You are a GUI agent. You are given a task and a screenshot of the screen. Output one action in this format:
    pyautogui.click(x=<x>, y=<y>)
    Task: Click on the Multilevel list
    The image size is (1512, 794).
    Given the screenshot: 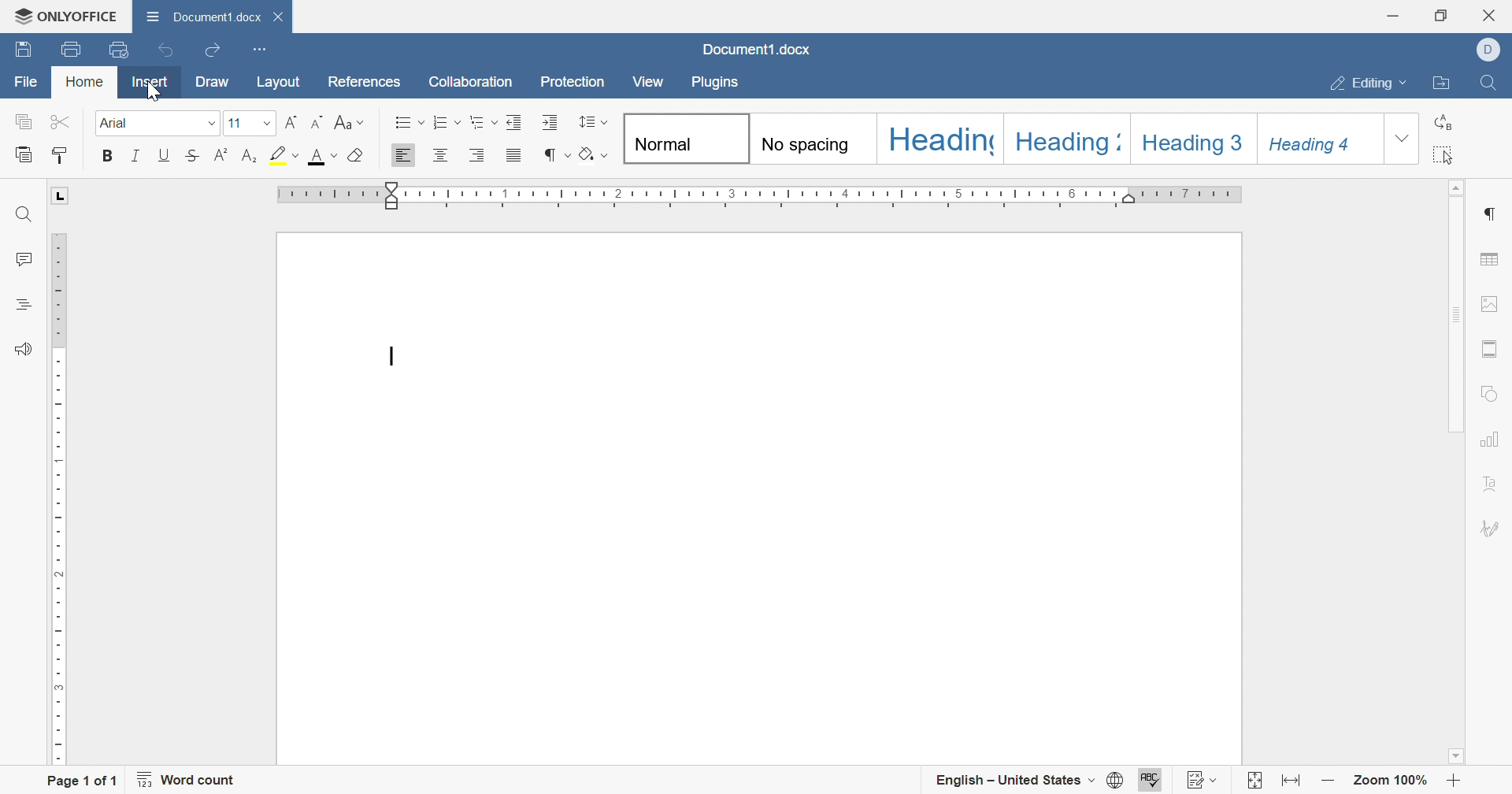 What is the action you would take?
    pyautogui.click(x=481, y=123)
    